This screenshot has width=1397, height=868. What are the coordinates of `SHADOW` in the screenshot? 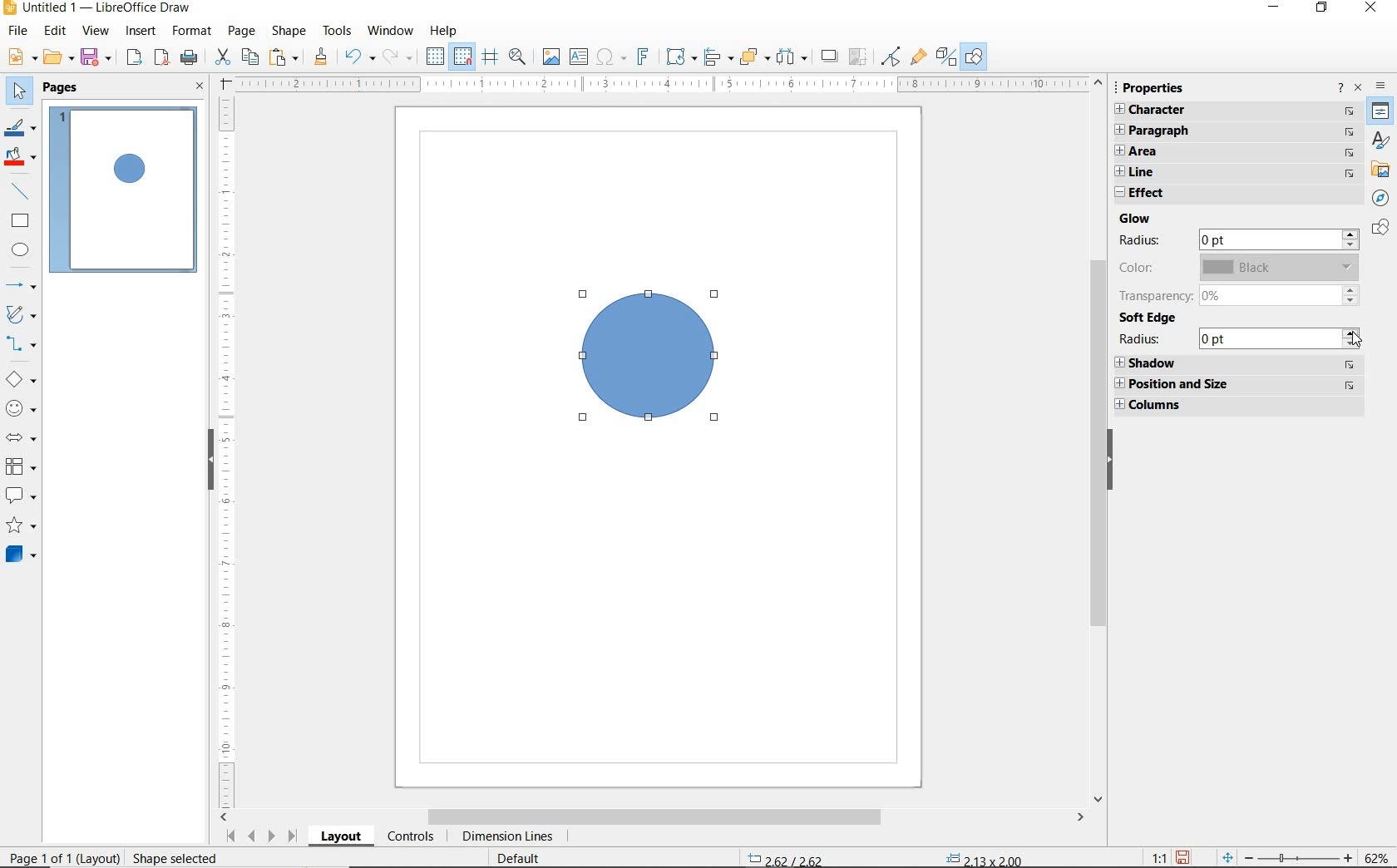 It's located at (1235, 363).